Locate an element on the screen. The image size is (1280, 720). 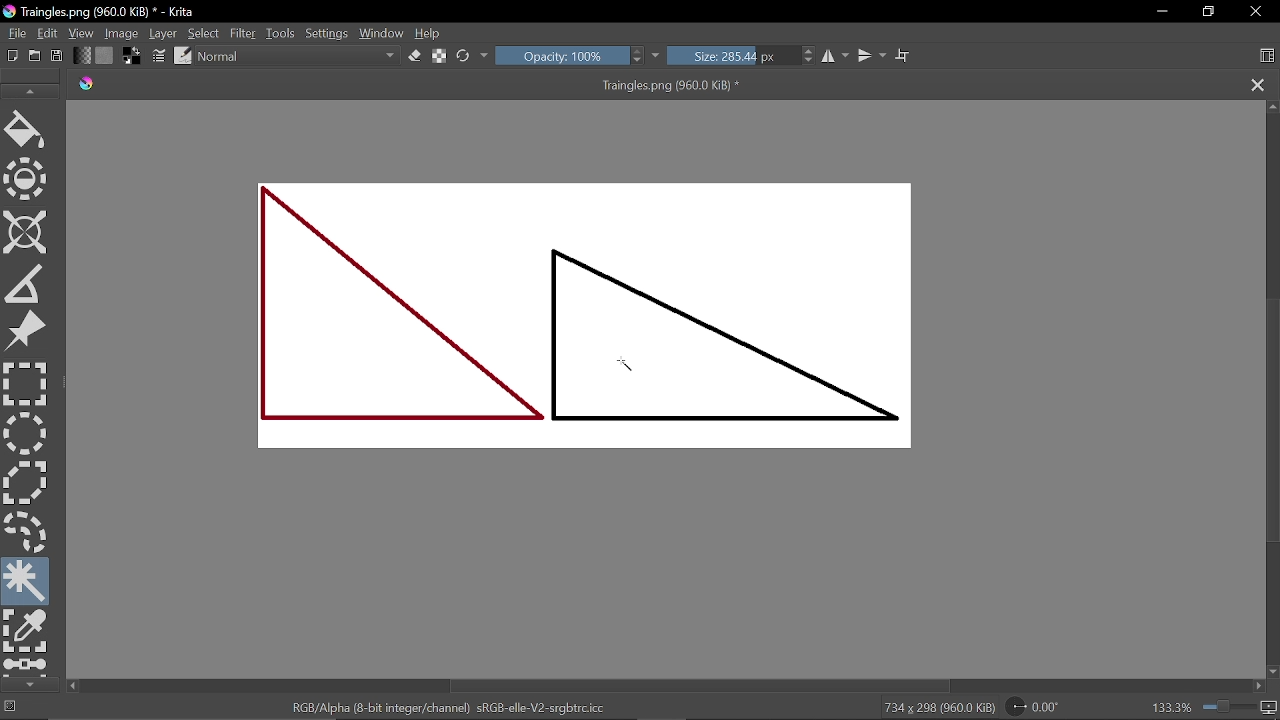
Save is located at coordinates (54, 56).